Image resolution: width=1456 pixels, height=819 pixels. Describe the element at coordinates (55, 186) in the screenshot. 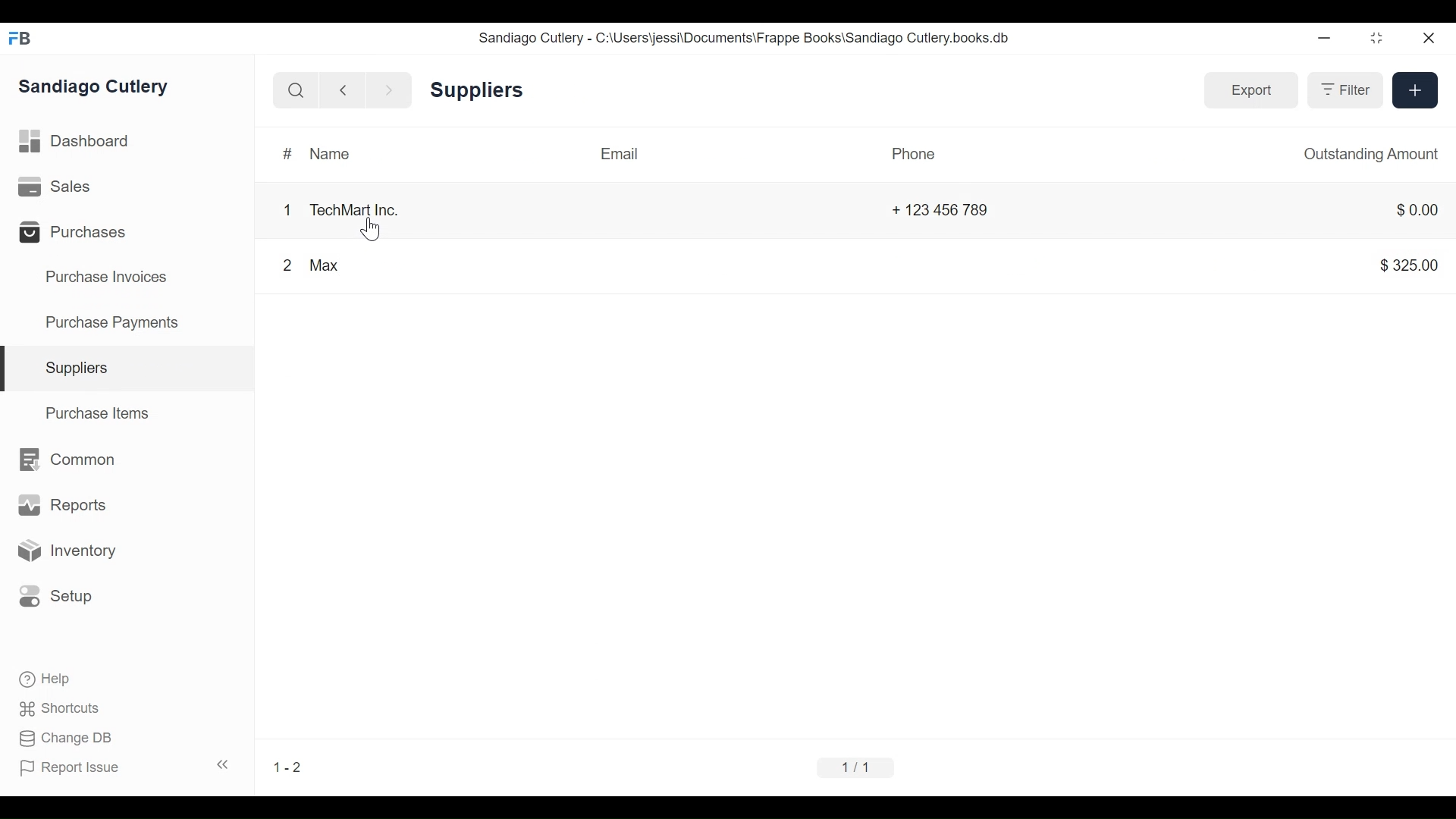

I see `Sales` at that location.